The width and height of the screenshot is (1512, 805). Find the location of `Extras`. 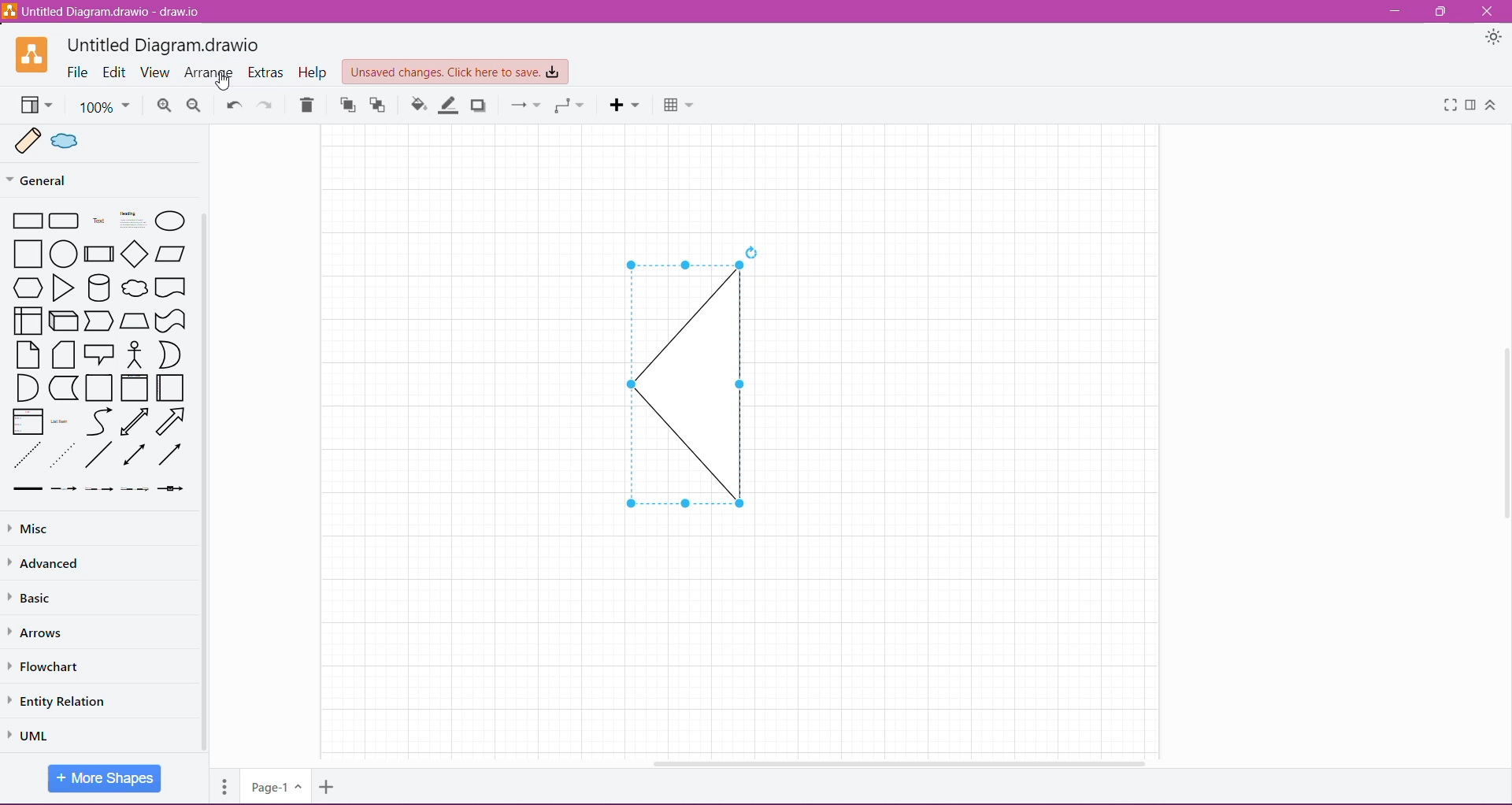

Extras is located at coordinates (265, 73).